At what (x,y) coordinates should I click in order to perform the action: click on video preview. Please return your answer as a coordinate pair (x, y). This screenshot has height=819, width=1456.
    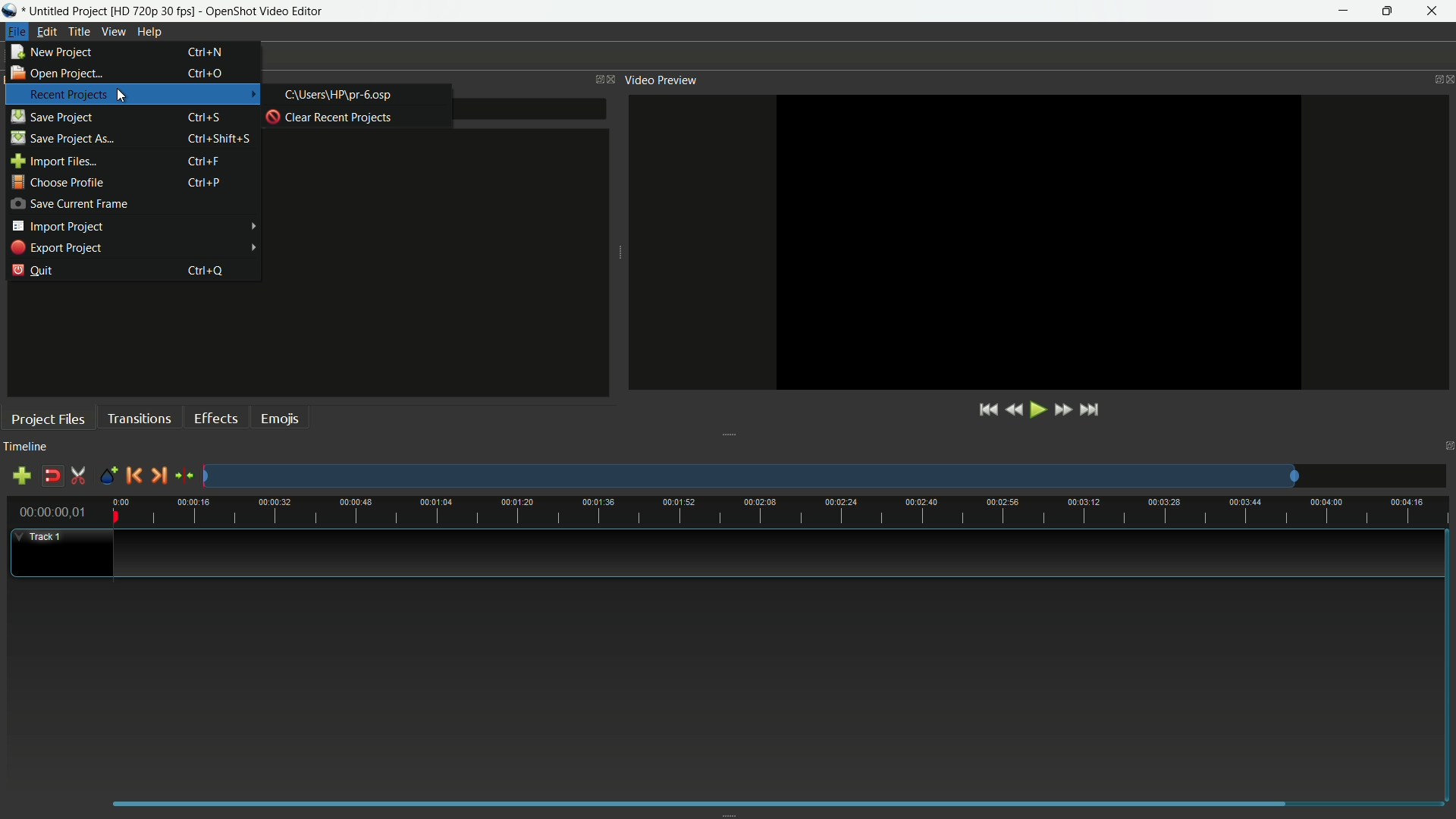
    Looking at the image, I should click on (661, 80).